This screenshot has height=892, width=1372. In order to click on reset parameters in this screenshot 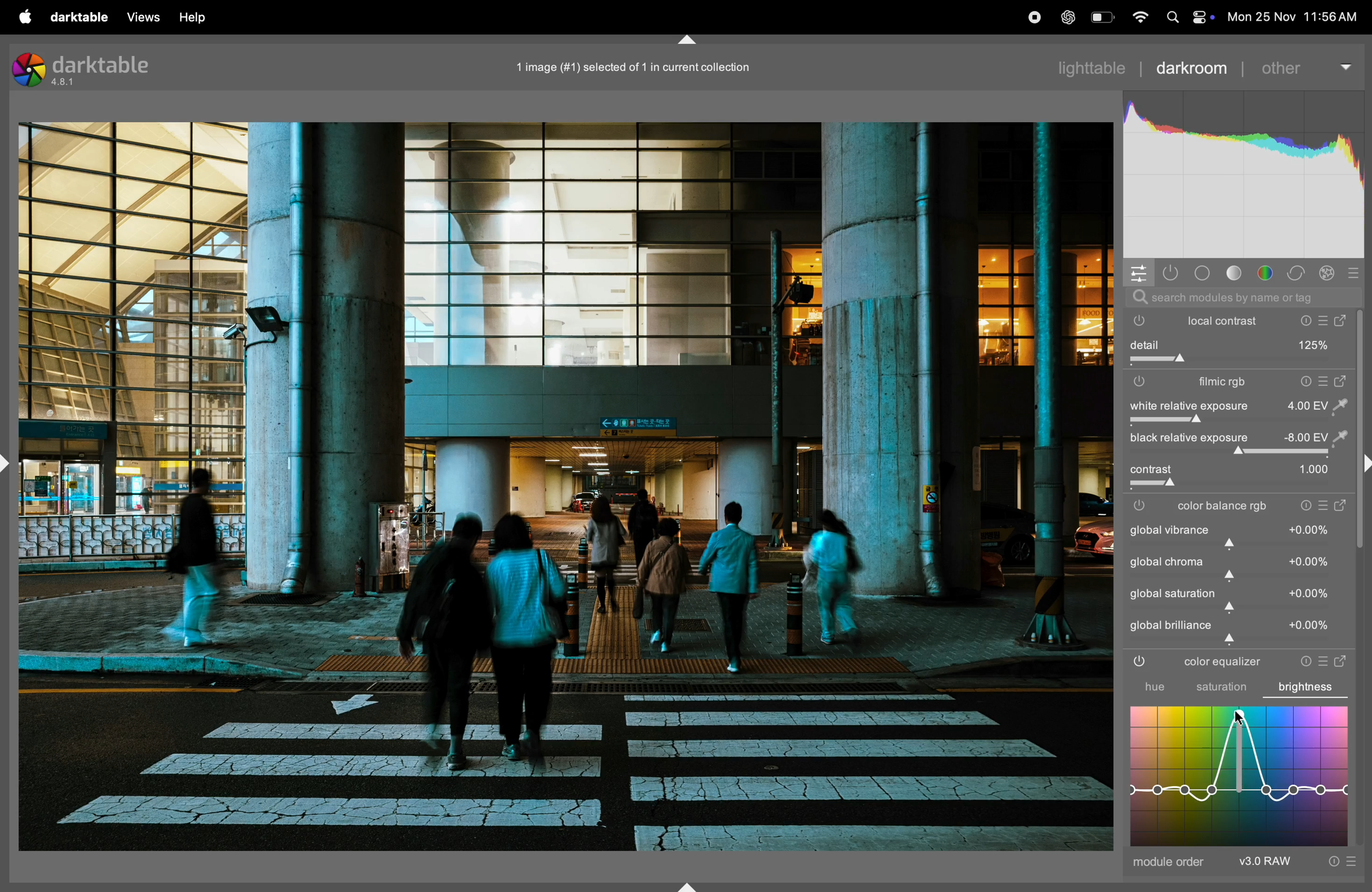, I will do `click(1305, 507)`.